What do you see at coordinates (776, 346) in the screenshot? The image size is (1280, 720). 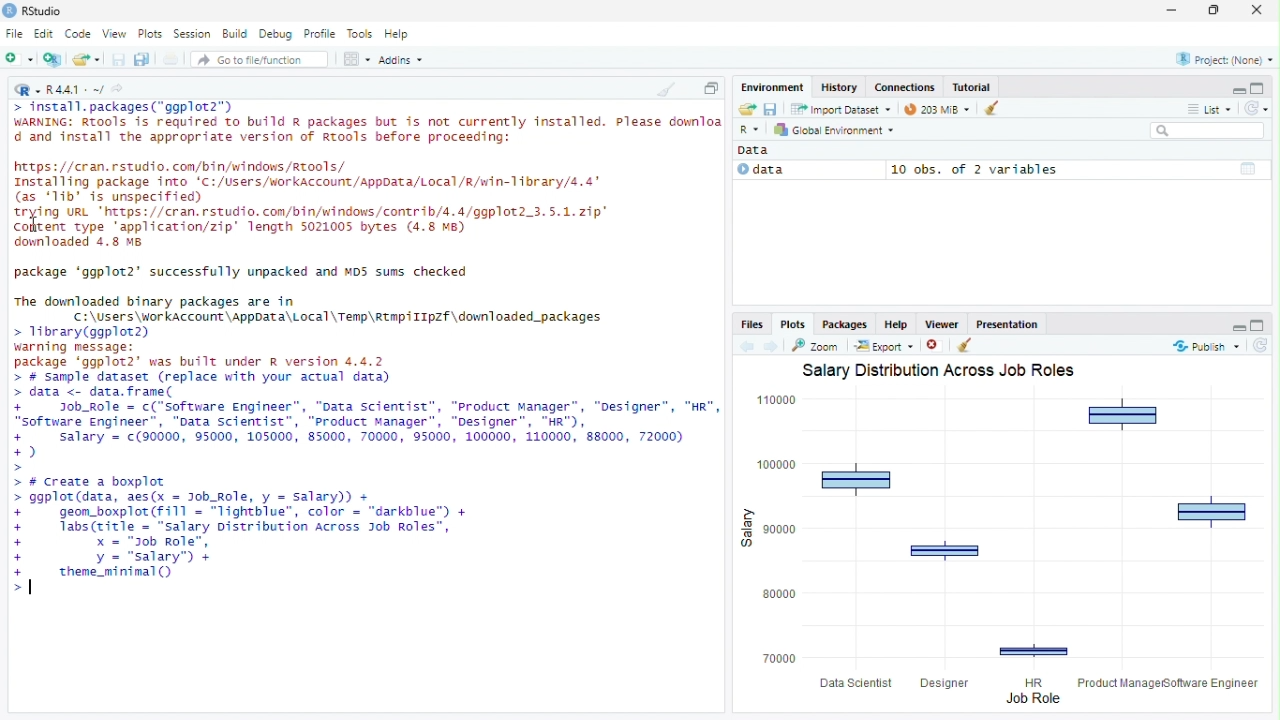 I see `Next plot` at bounding box center [776, 346].